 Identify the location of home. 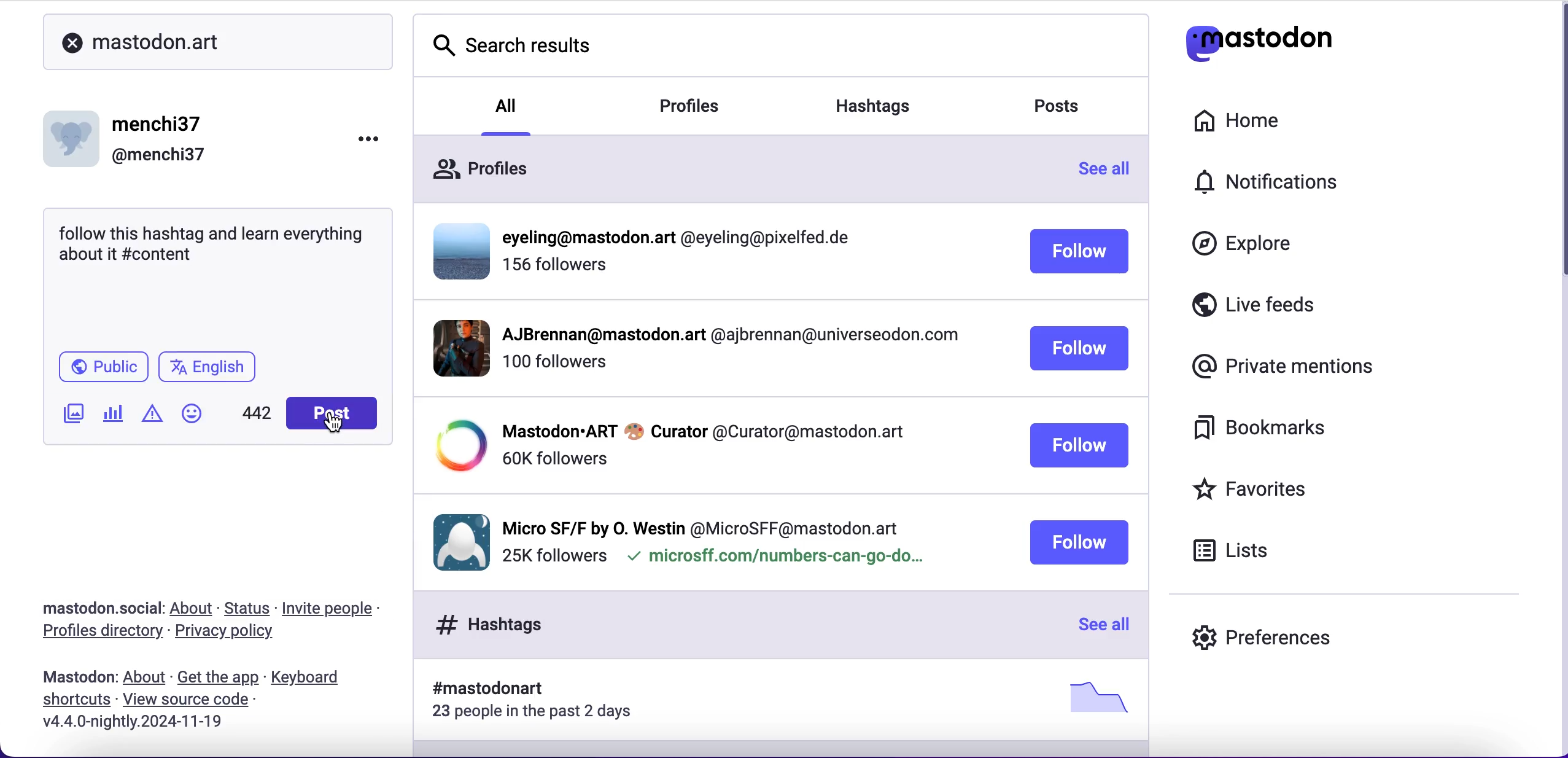
(1252, 122).